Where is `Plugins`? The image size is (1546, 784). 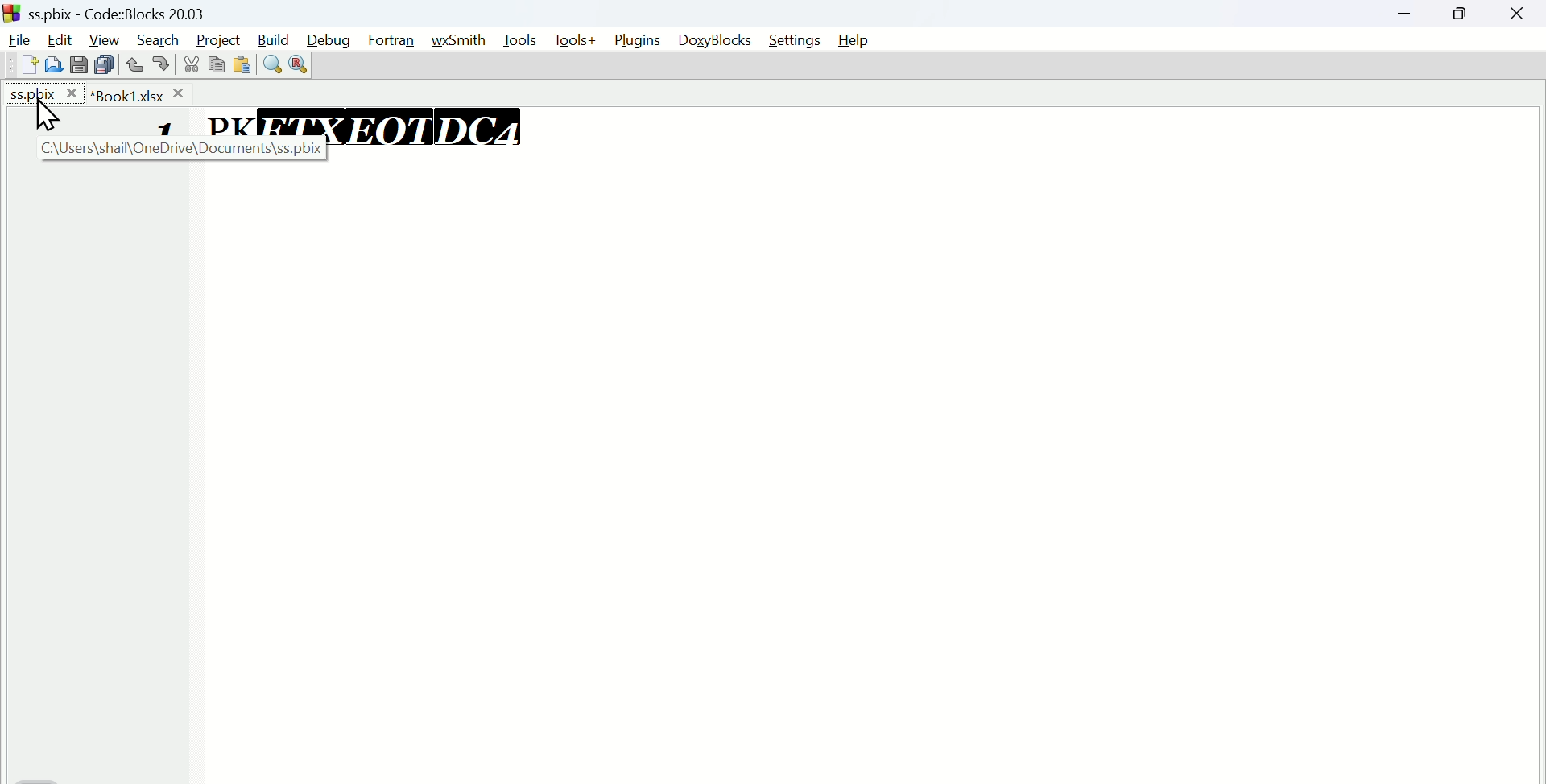 Plugins is located at coordinates (637, 41).